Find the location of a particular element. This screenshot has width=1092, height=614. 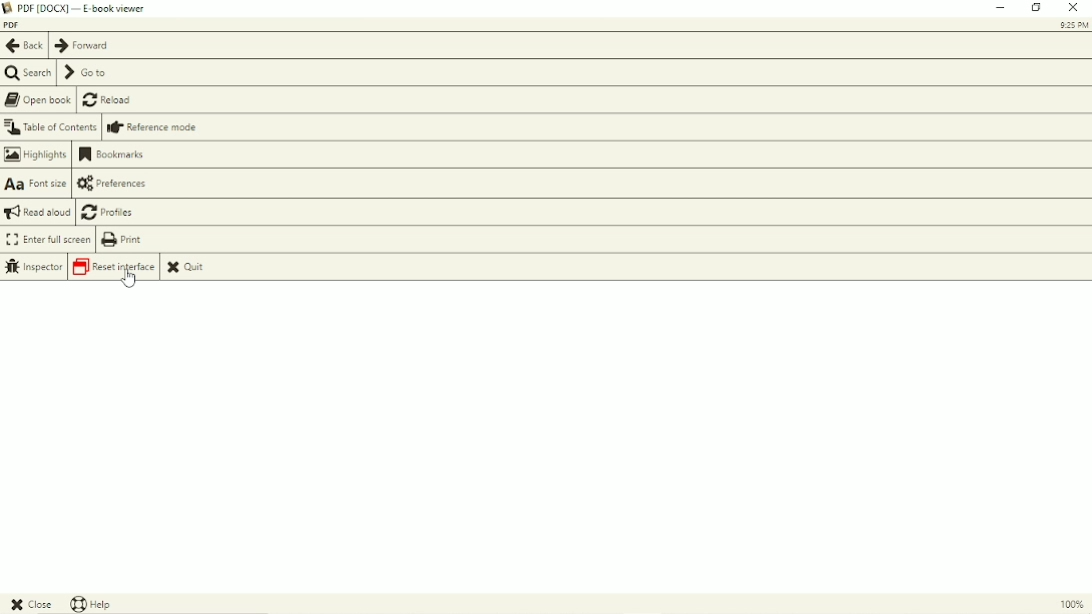

Title is located at coordinates (87, 7).